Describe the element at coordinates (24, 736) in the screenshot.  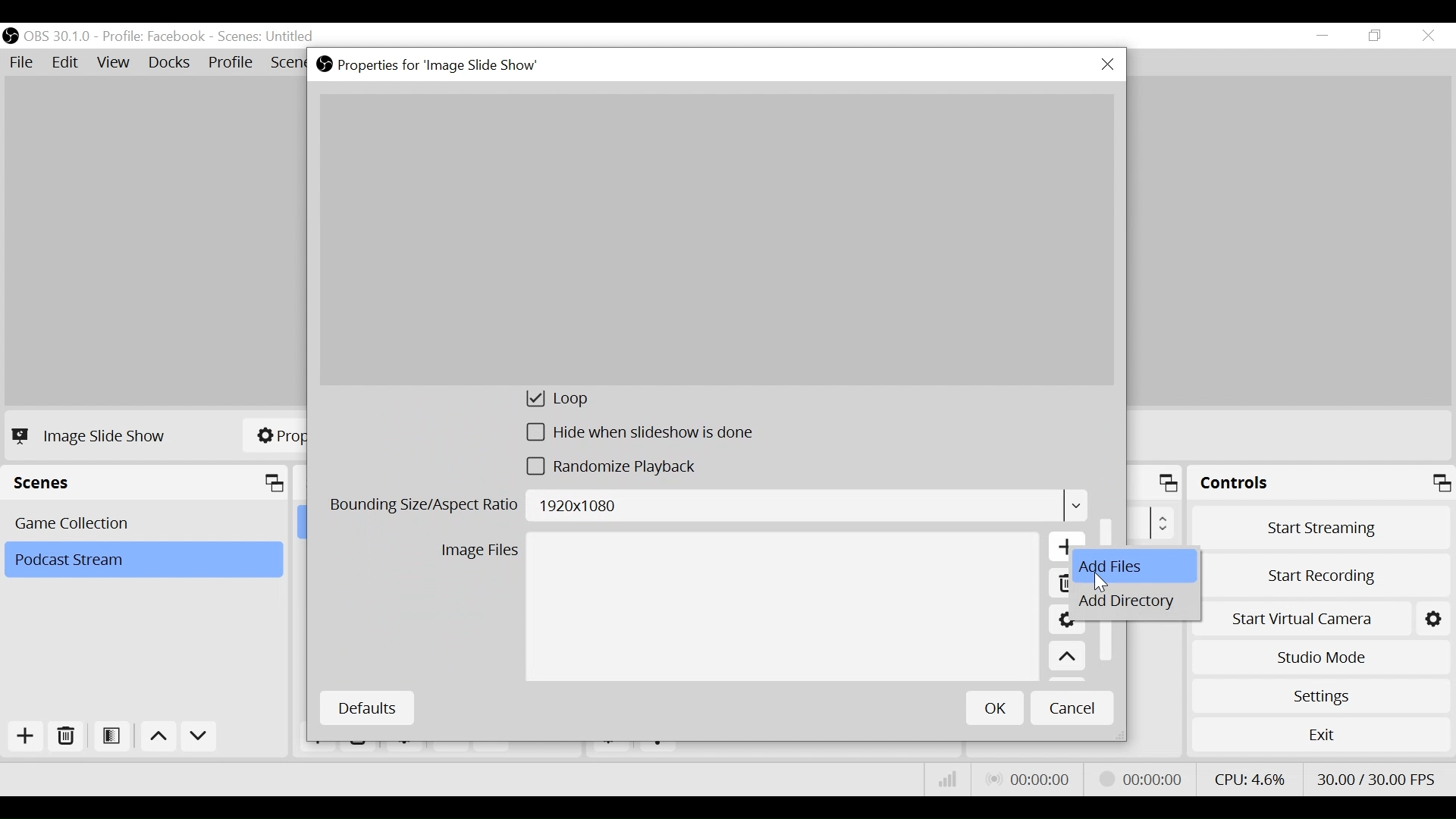
I see `Add` at that location.